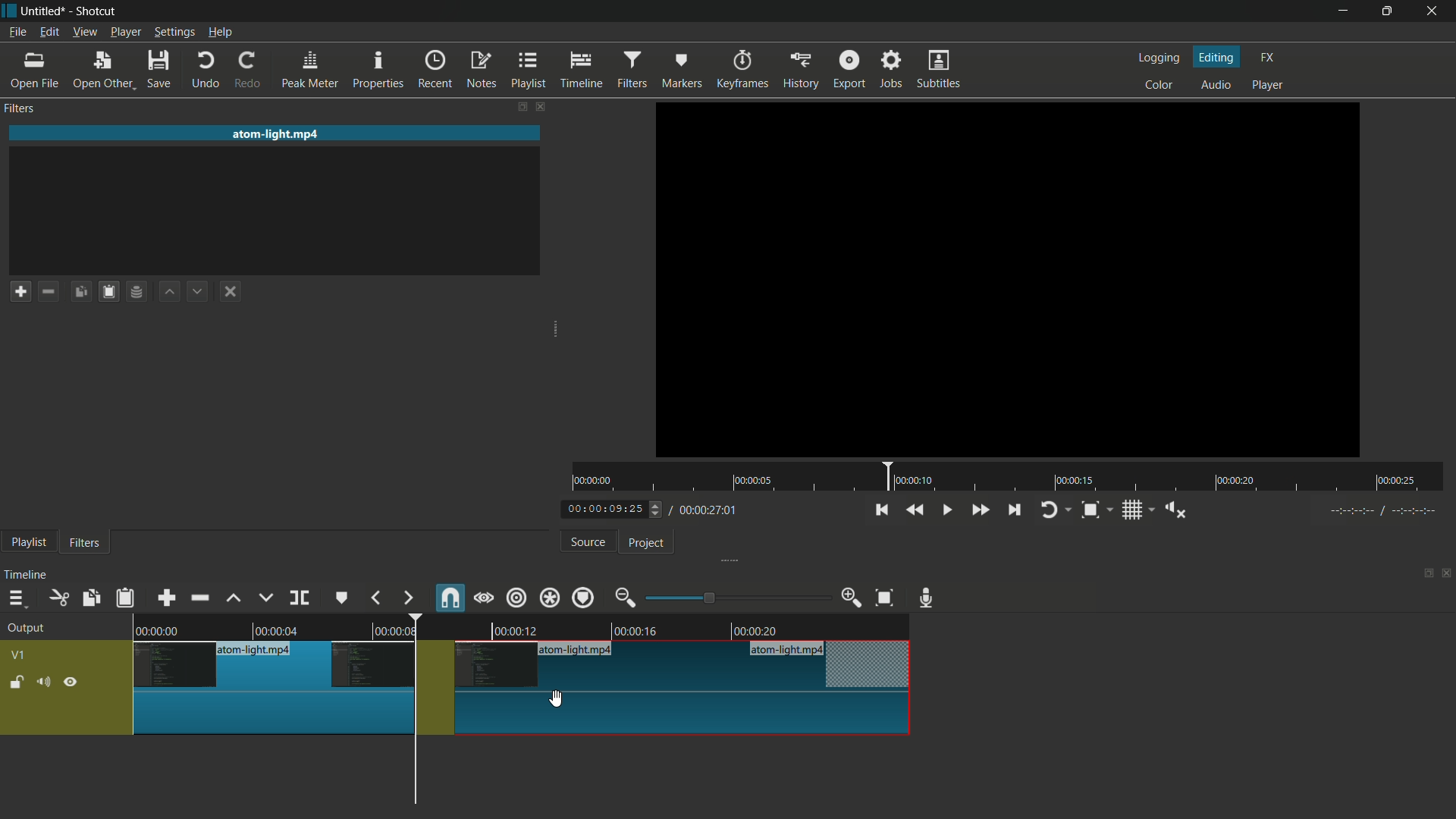  What do you see at coordinates (1016, 511) in the screenshot?
I see `skip to the next point` at bounding box center [1016, 511].